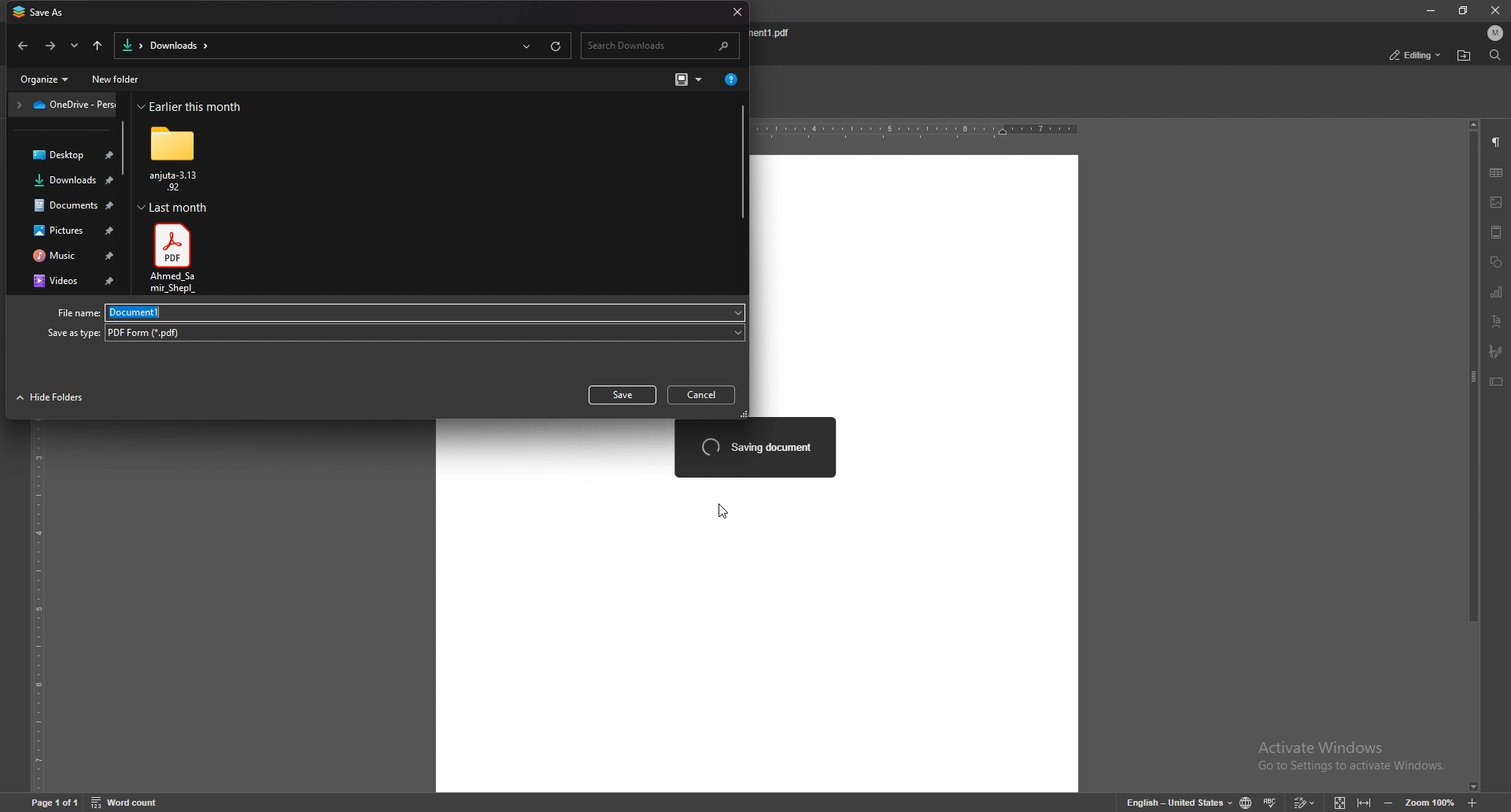  What do you see at coordinates (118, 79) in the screenshot?
I see `new folder` at bounding box center [118, 79].